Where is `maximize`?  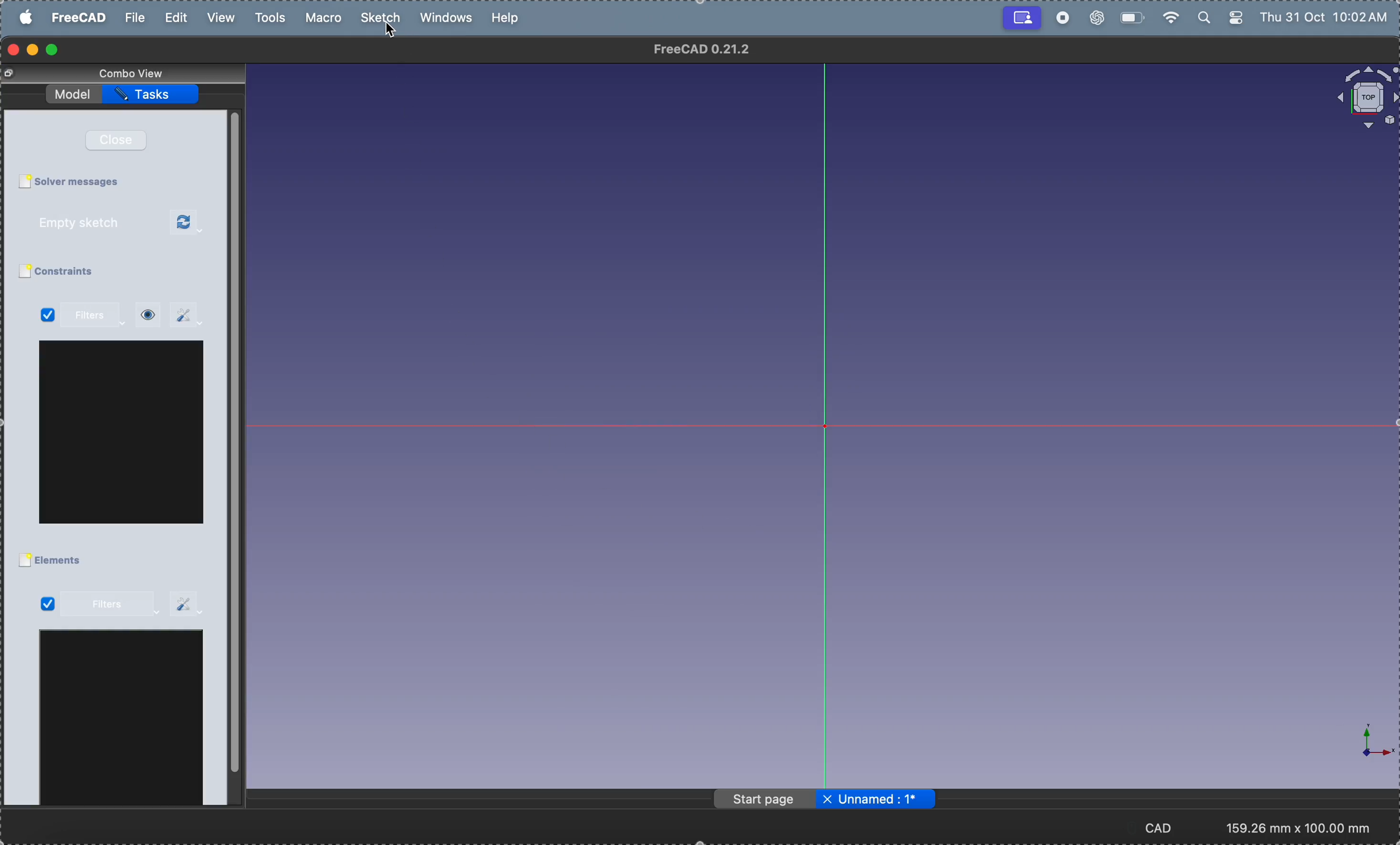
maximize is located at coordinates (53, 51).